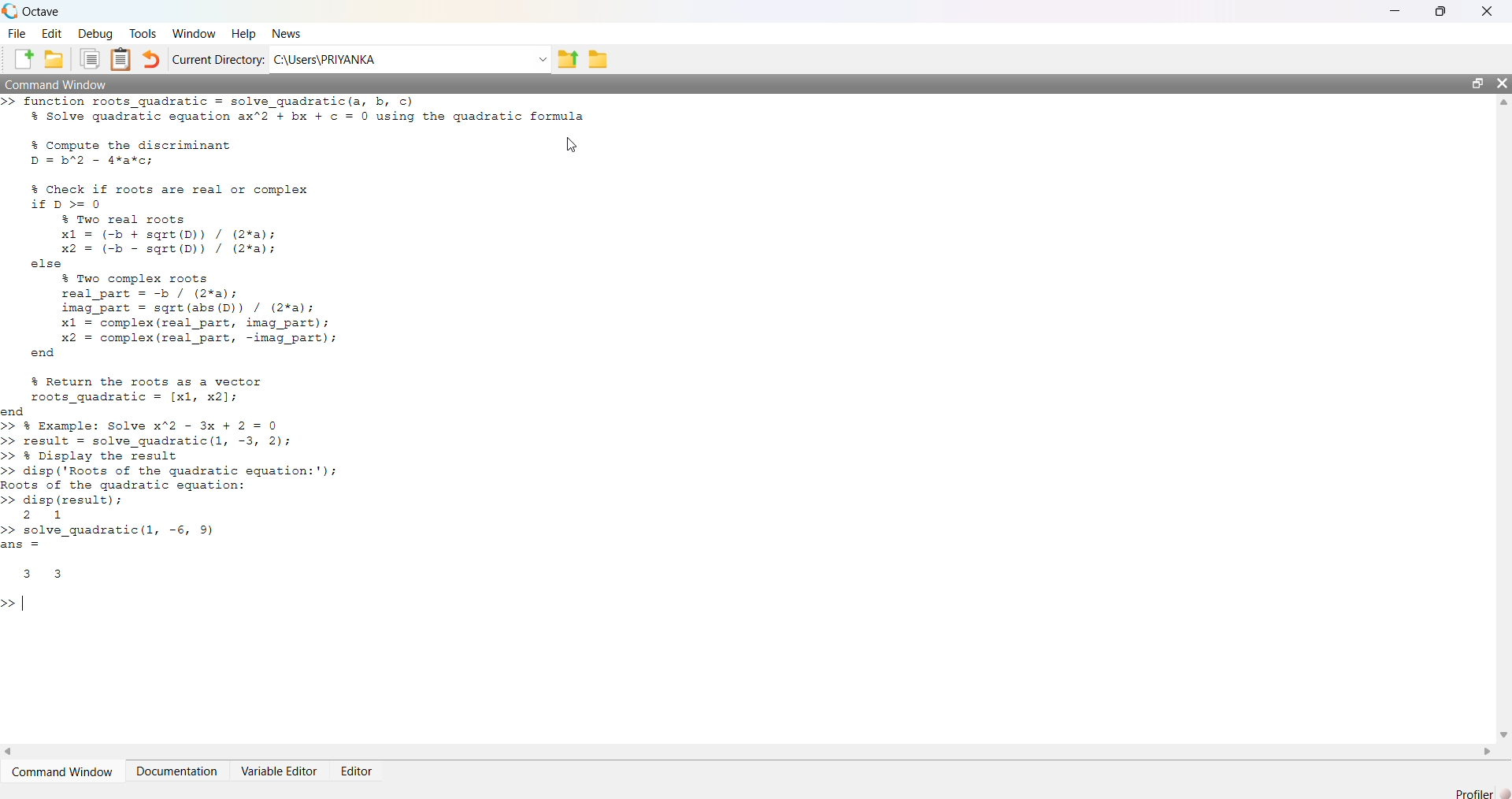 This screenshot has height=799, width=1512. Describe the element at coordinates (282, 770) in the screenshot. I see `Variable Editor` at that location.